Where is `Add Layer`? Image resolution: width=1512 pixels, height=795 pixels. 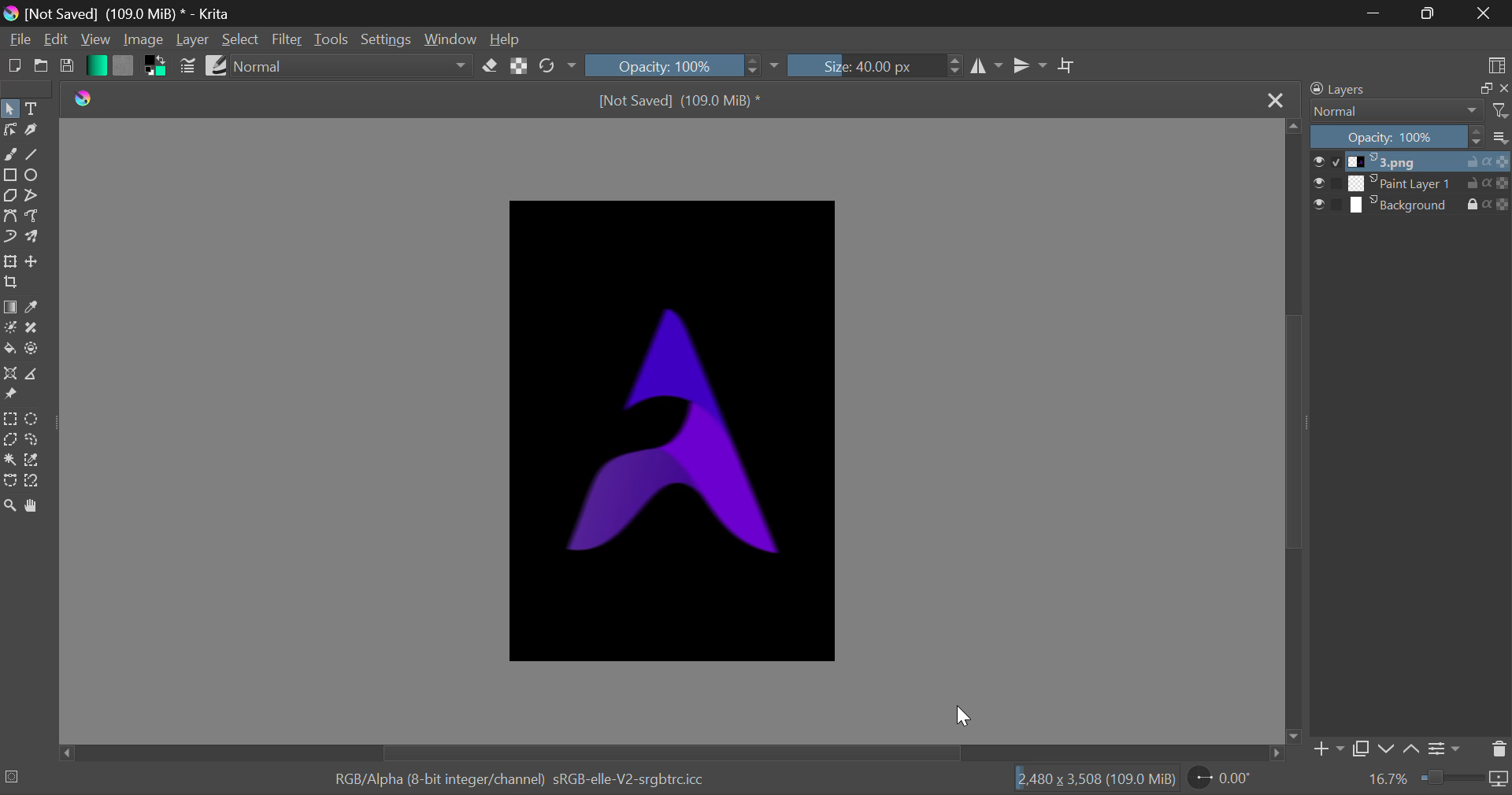
Add Layer is located at coordinates (1328, 749).